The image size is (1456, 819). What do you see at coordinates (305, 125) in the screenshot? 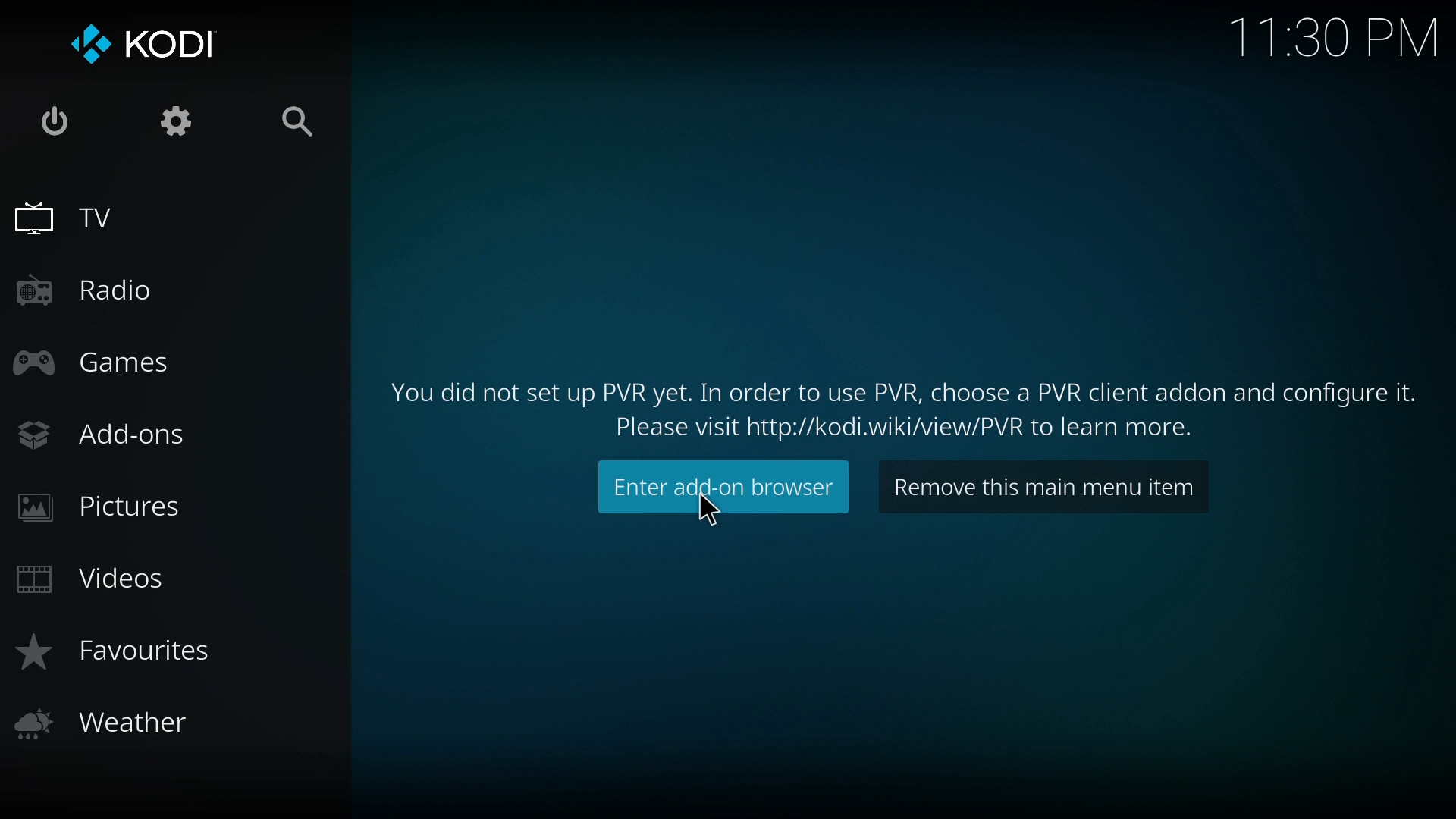
I see `search` at bounding box center [305, 125].